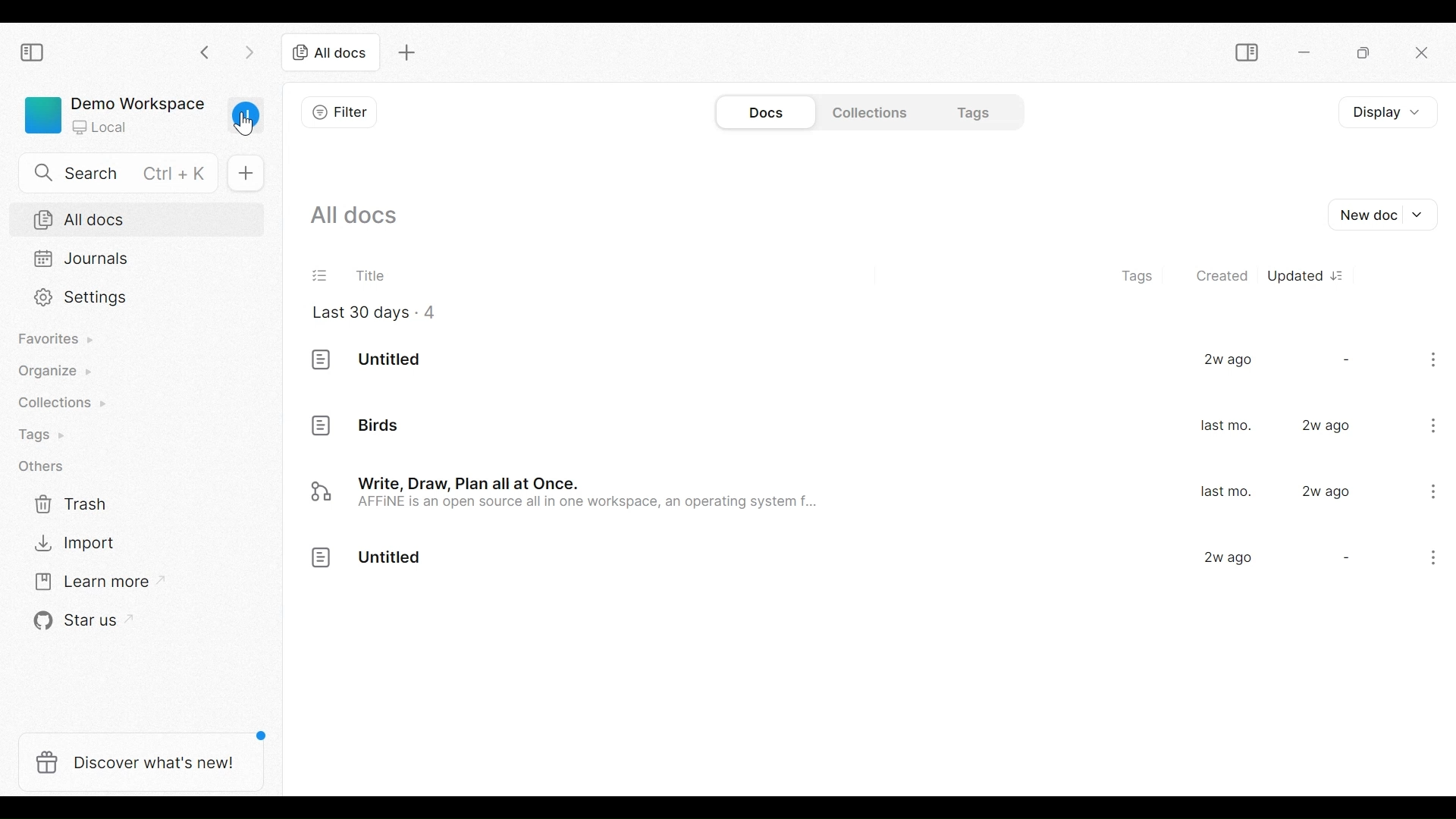 The width and height of the screenshot is (1456, 819). What do you see at coordinates (35, 53) in the screenshot?
I see `Show/Hide Sidebar` at bounding box center [35, 53].